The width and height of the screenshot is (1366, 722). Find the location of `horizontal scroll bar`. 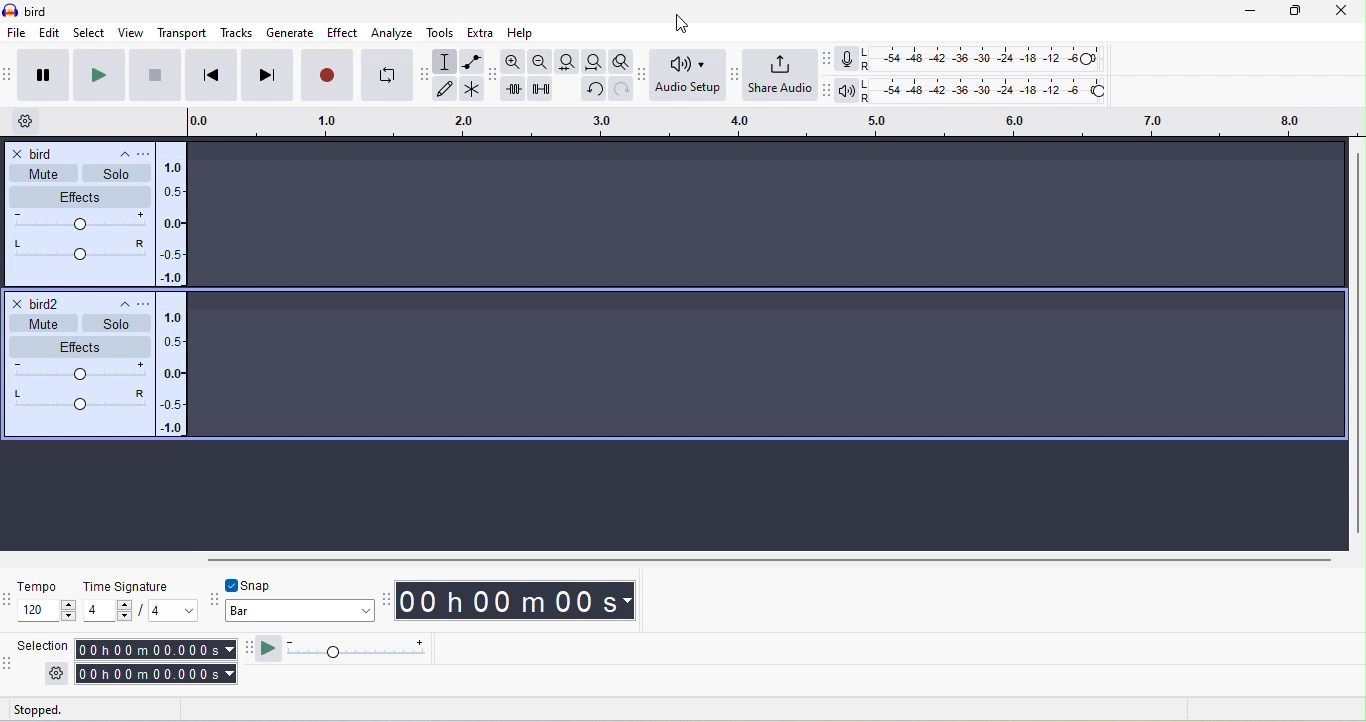

horizontal scroll bar is located at coordinates (665, 563).